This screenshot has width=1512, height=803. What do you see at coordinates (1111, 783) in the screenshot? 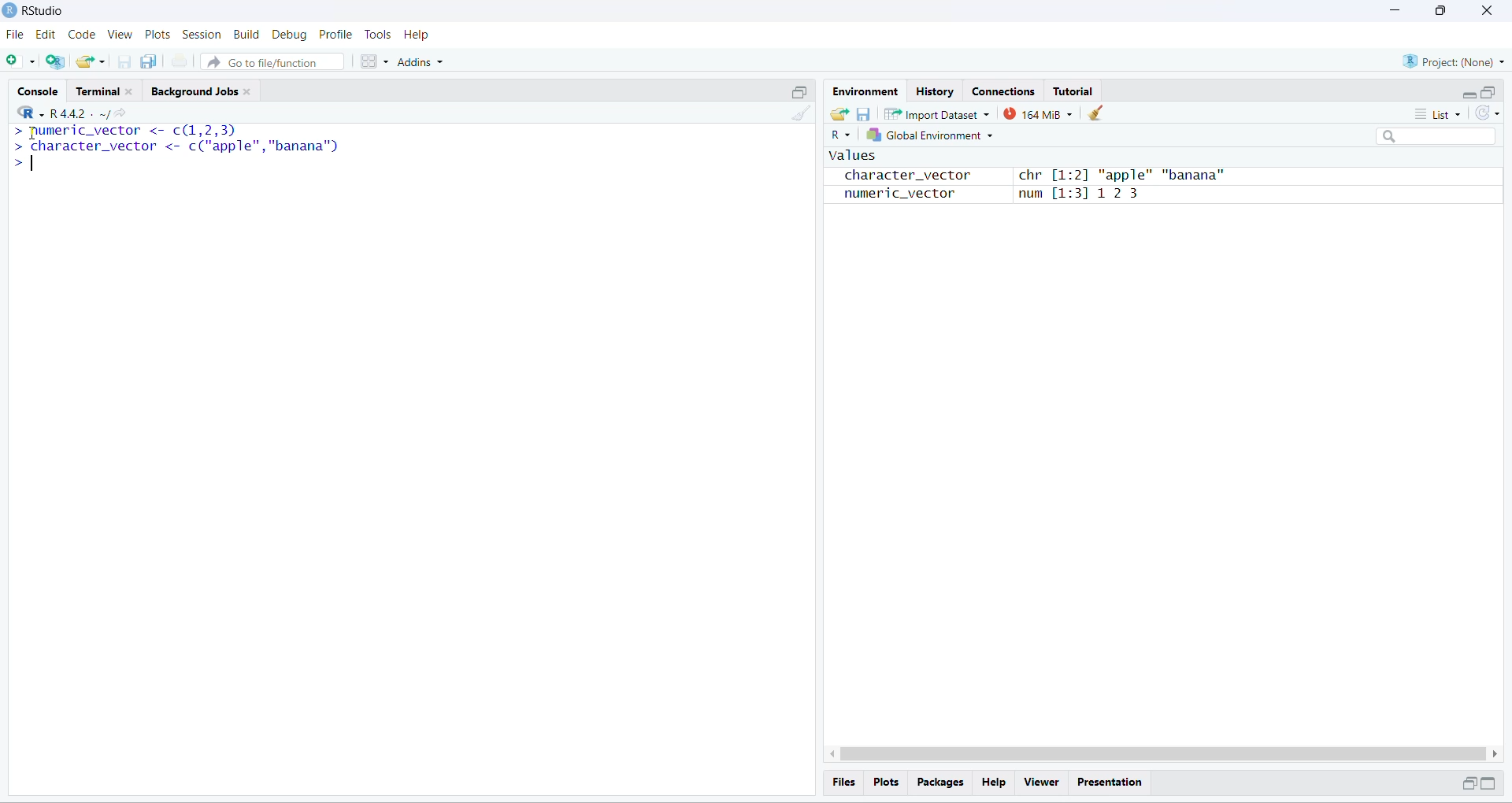
I see `Presentation` at bounding box center [1111, 783].